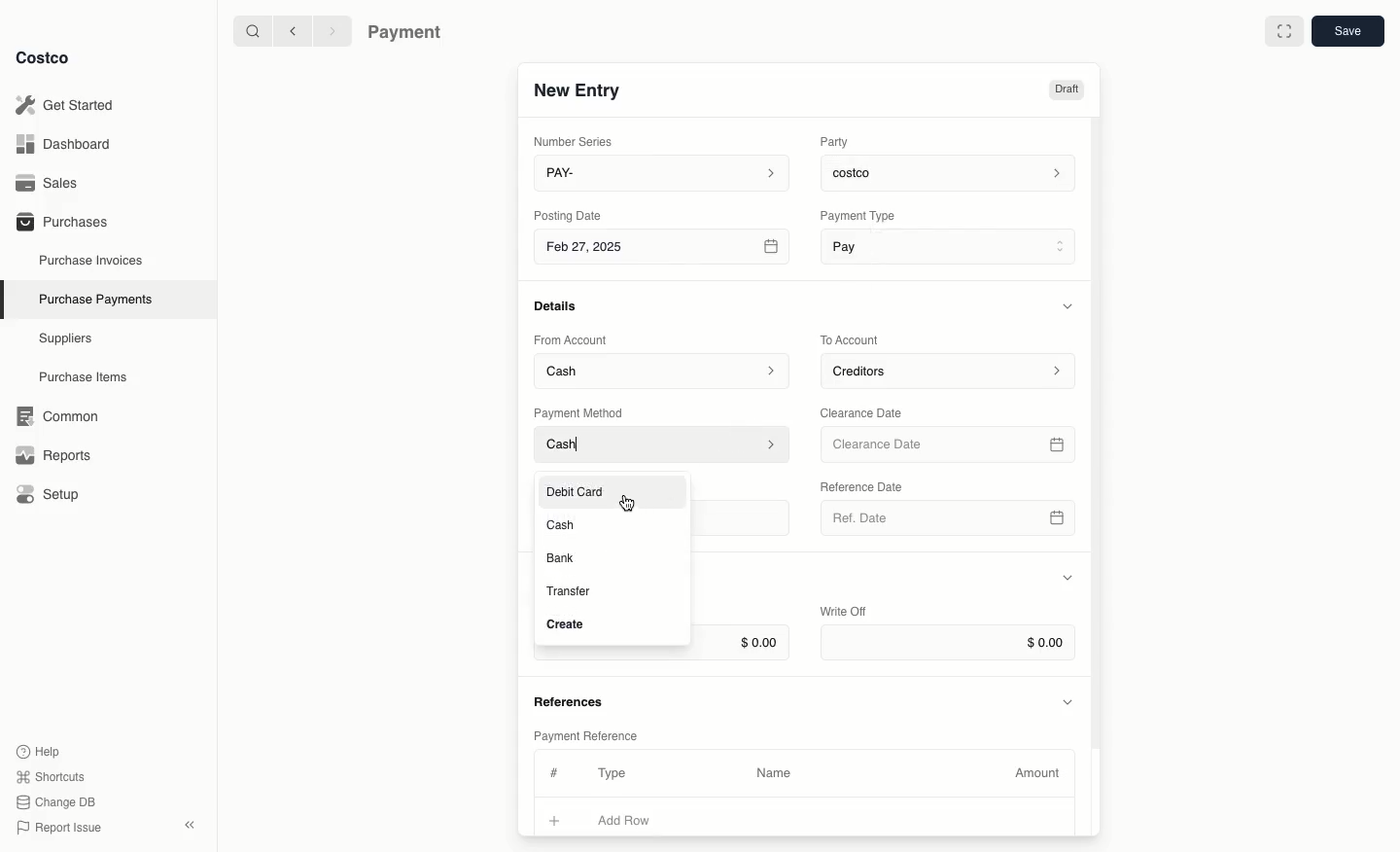 This screenshot has width=1400, height=852. I want to click on Purchase Invoices, so click(92, 260).